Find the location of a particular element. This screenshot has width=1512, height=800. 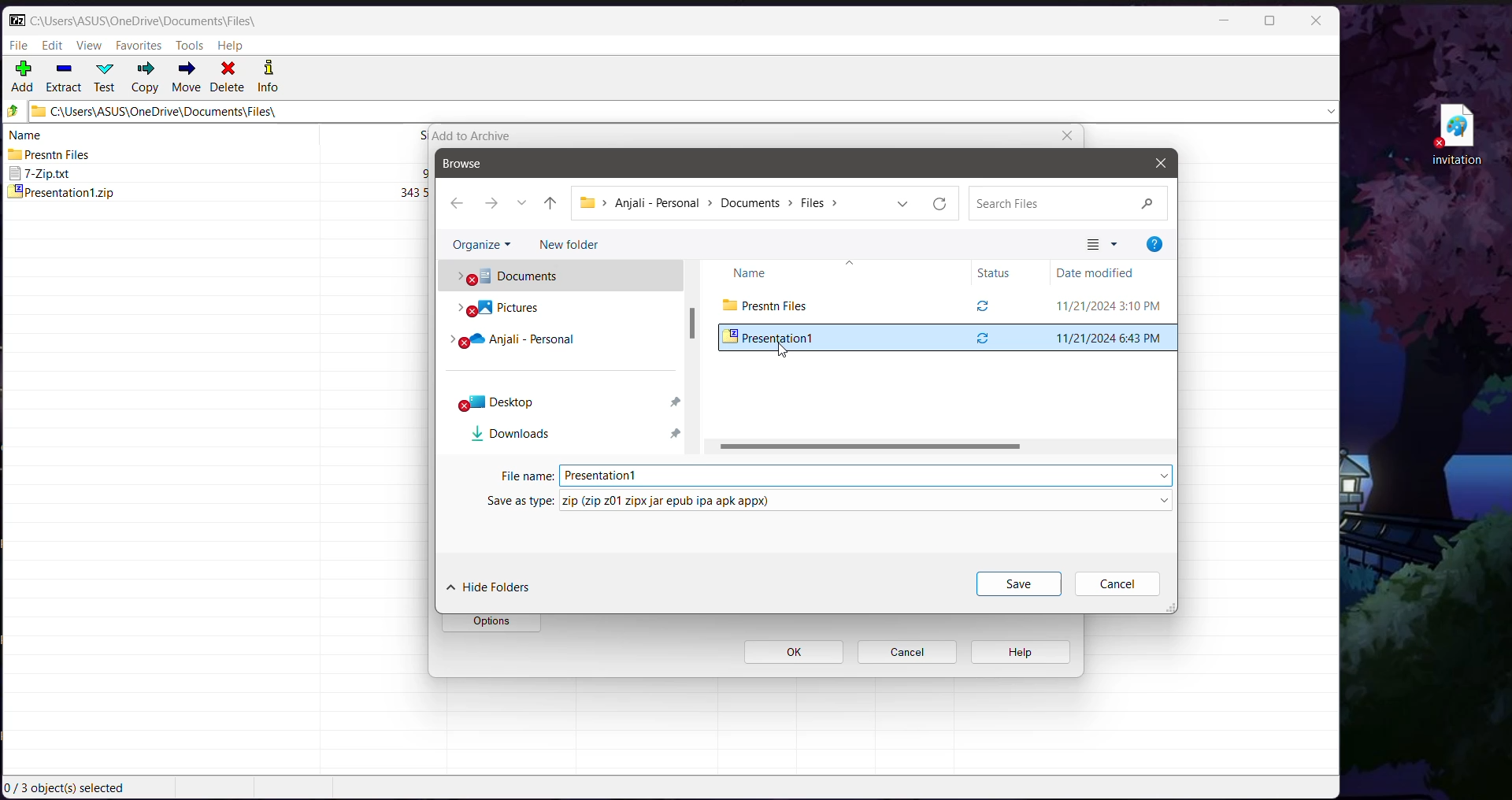

Horizontal Scroll Bar is located at coordinates (938, 447).